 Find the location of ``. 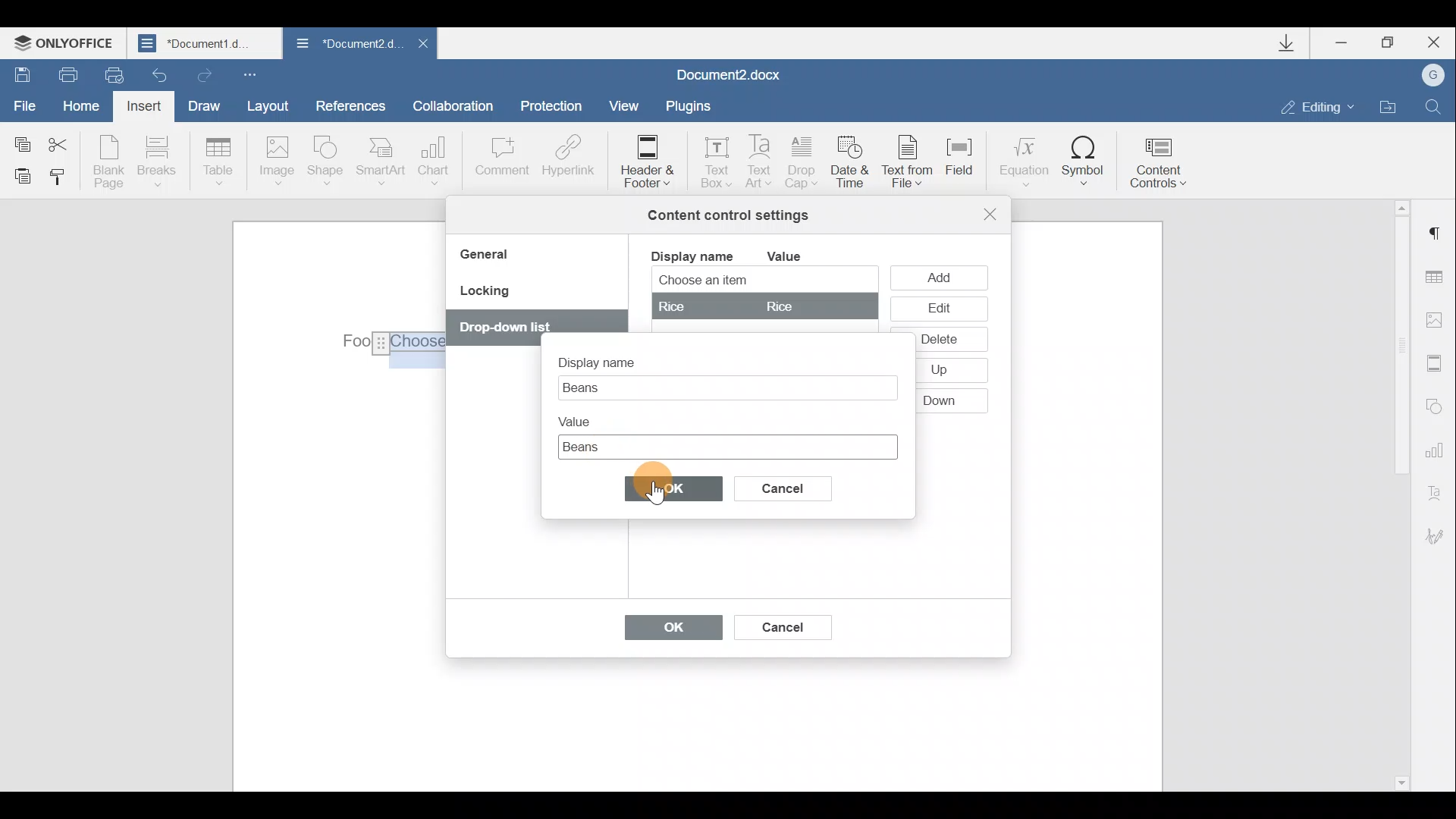

 is located at coordinates (941, 370).